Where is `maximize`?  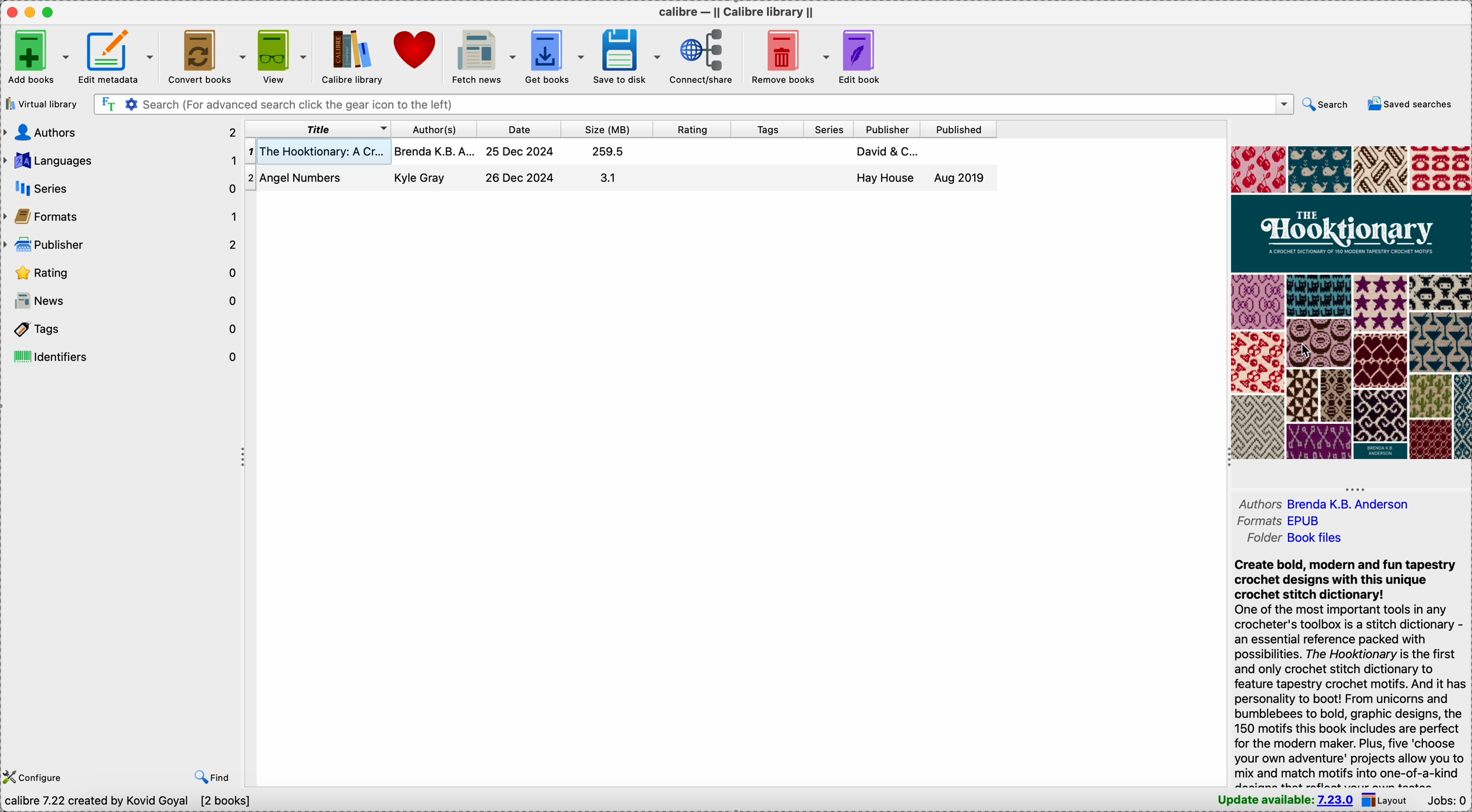
maximize is located at coordinates (51, 13).